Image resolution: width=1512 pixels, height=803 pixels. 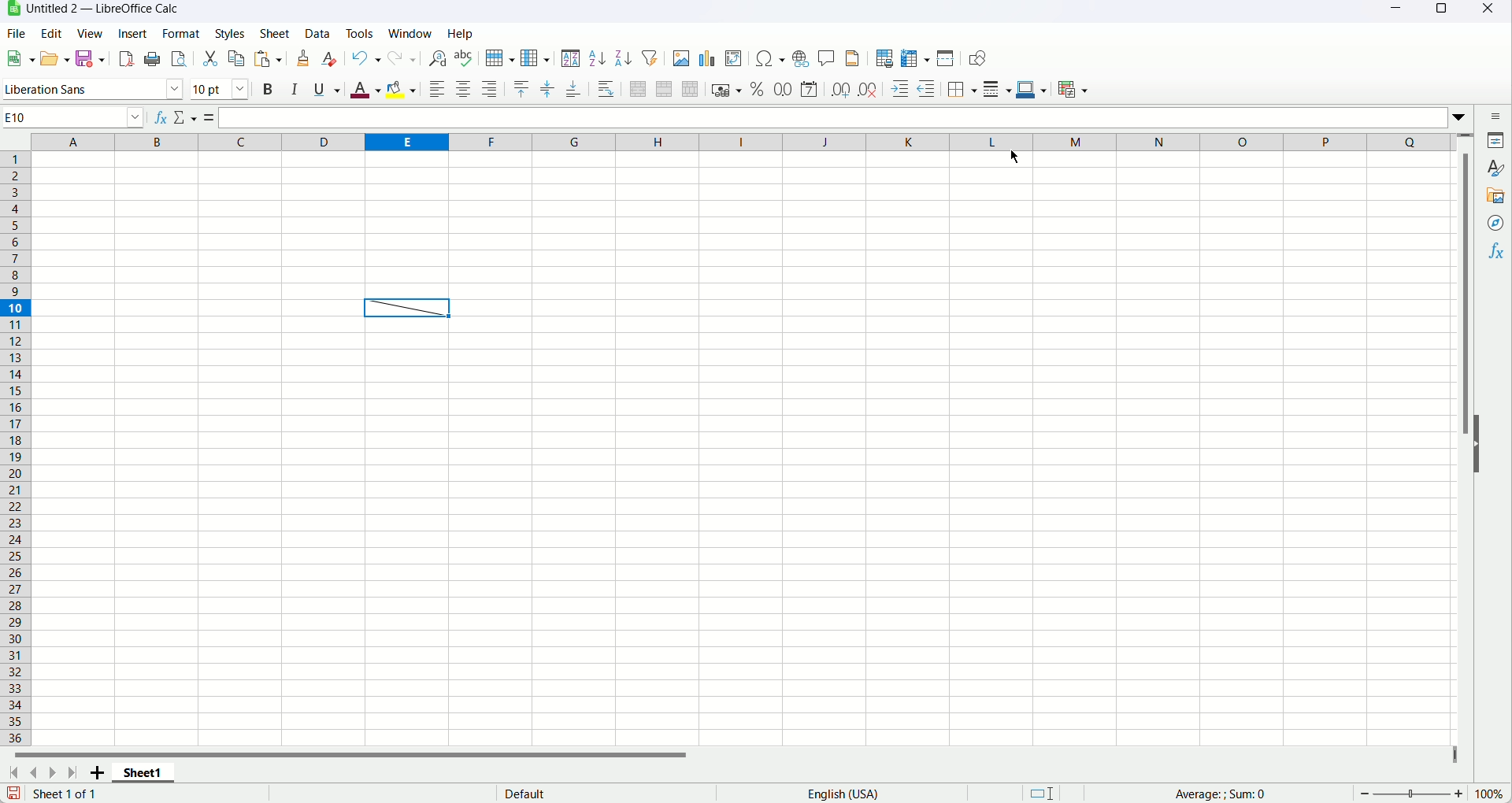 I want to click on Save, so click(x=13, y=794).